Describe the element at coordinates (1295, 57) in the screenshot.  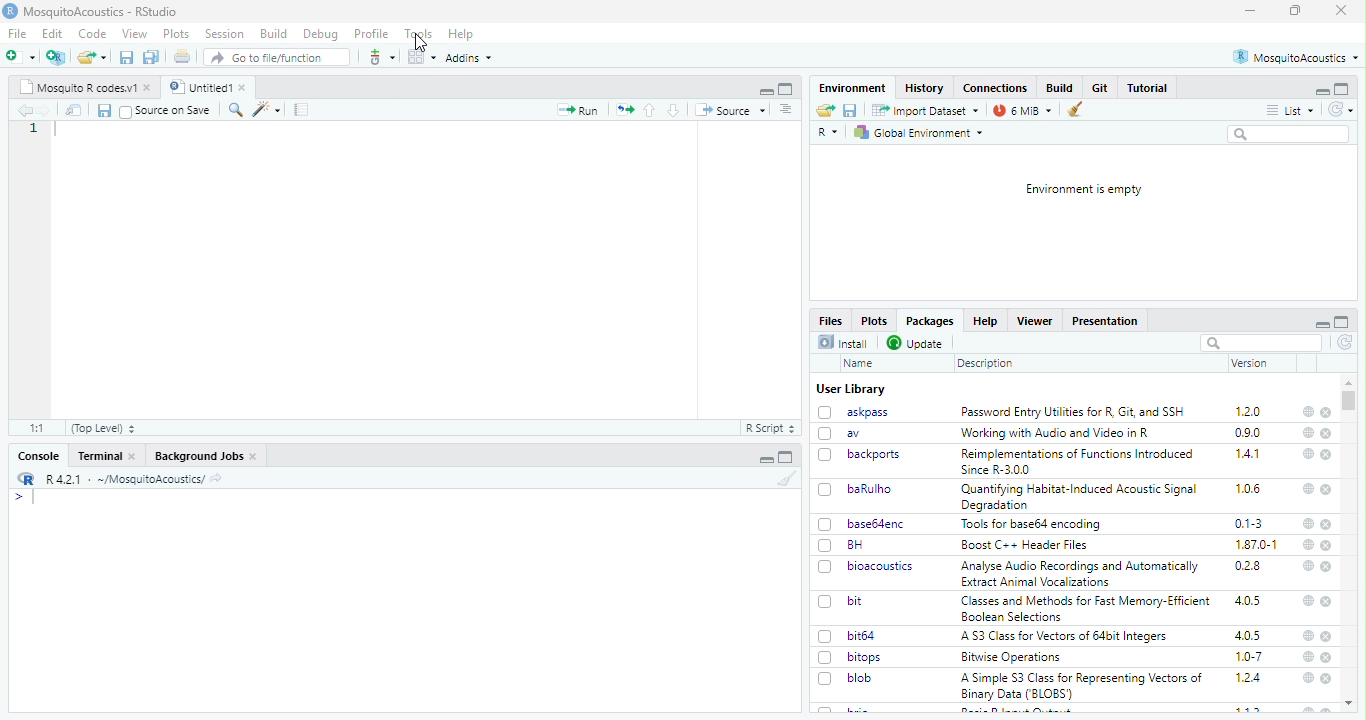
I see `MosquitoAcoustics` at that location.